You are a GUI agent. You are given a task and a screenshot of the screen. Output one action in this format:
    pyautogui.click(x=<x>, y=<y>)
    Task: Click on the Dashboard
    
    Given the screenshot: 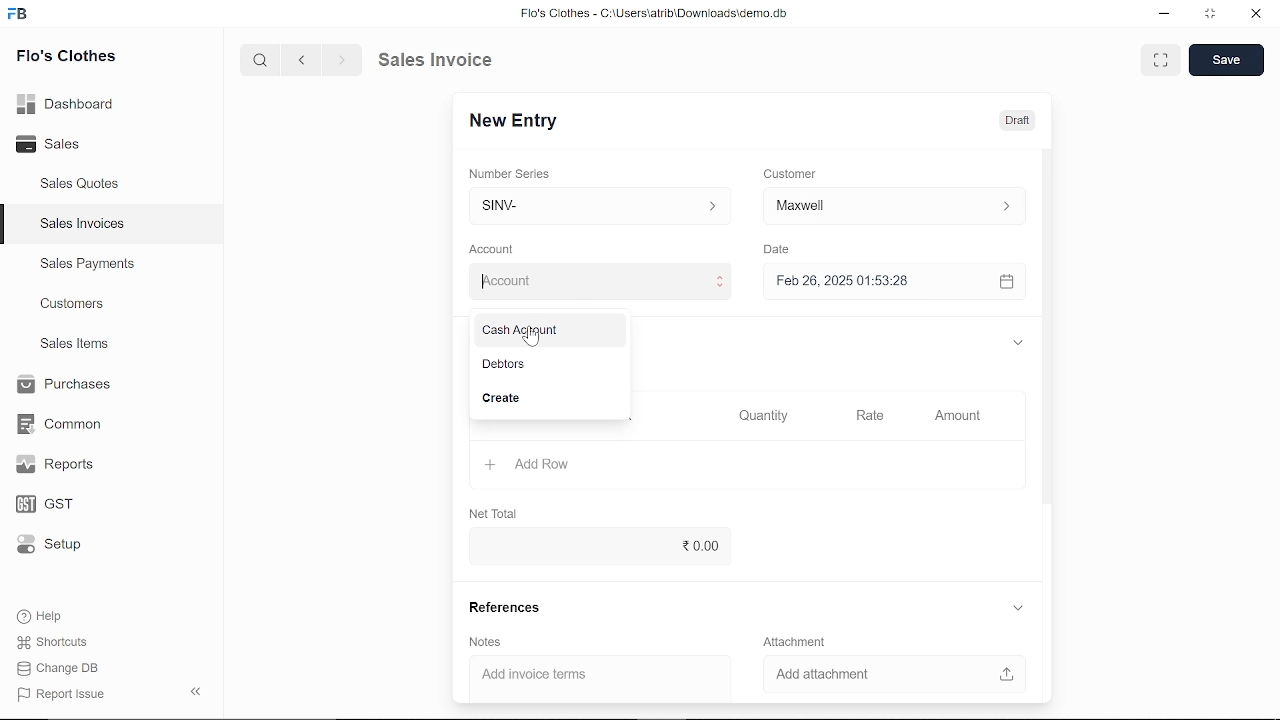 What is the action you would take?
    pyautogui.click(x=70, y=103)
    